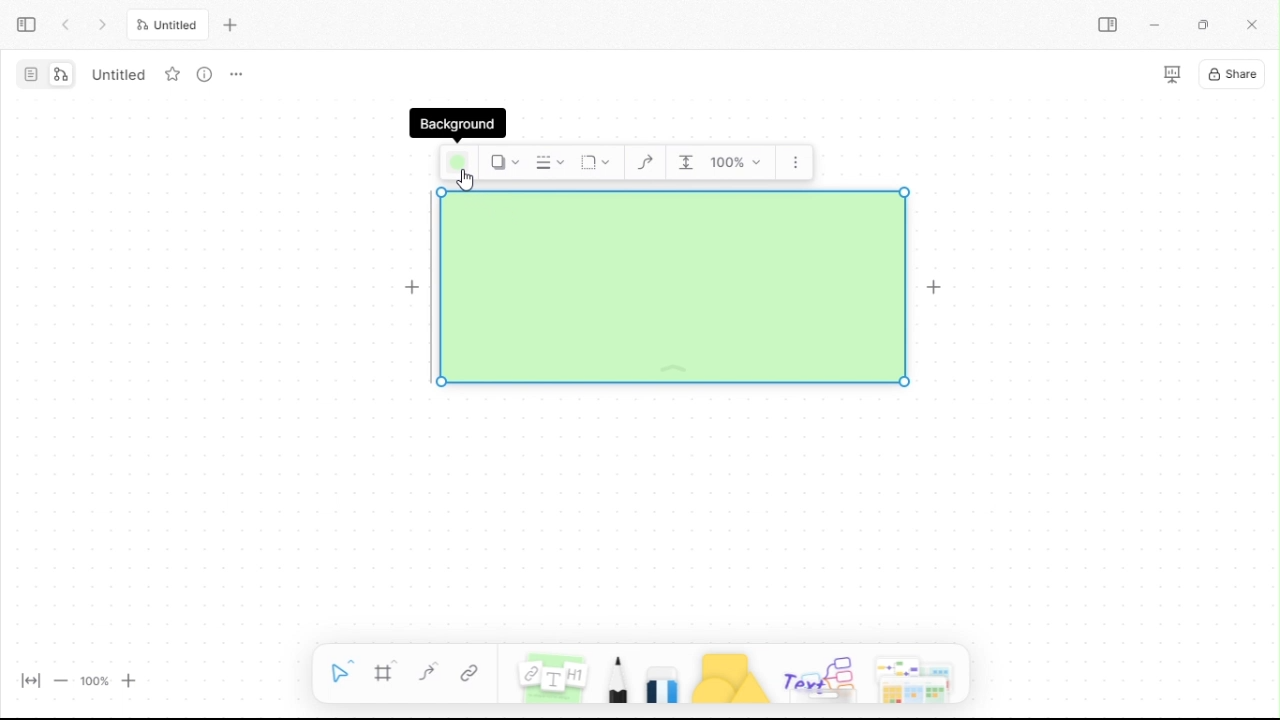  What do you see at coordinates (1232, 73) in the screenshot?
I see `share` at bounding box center [1232, 73].